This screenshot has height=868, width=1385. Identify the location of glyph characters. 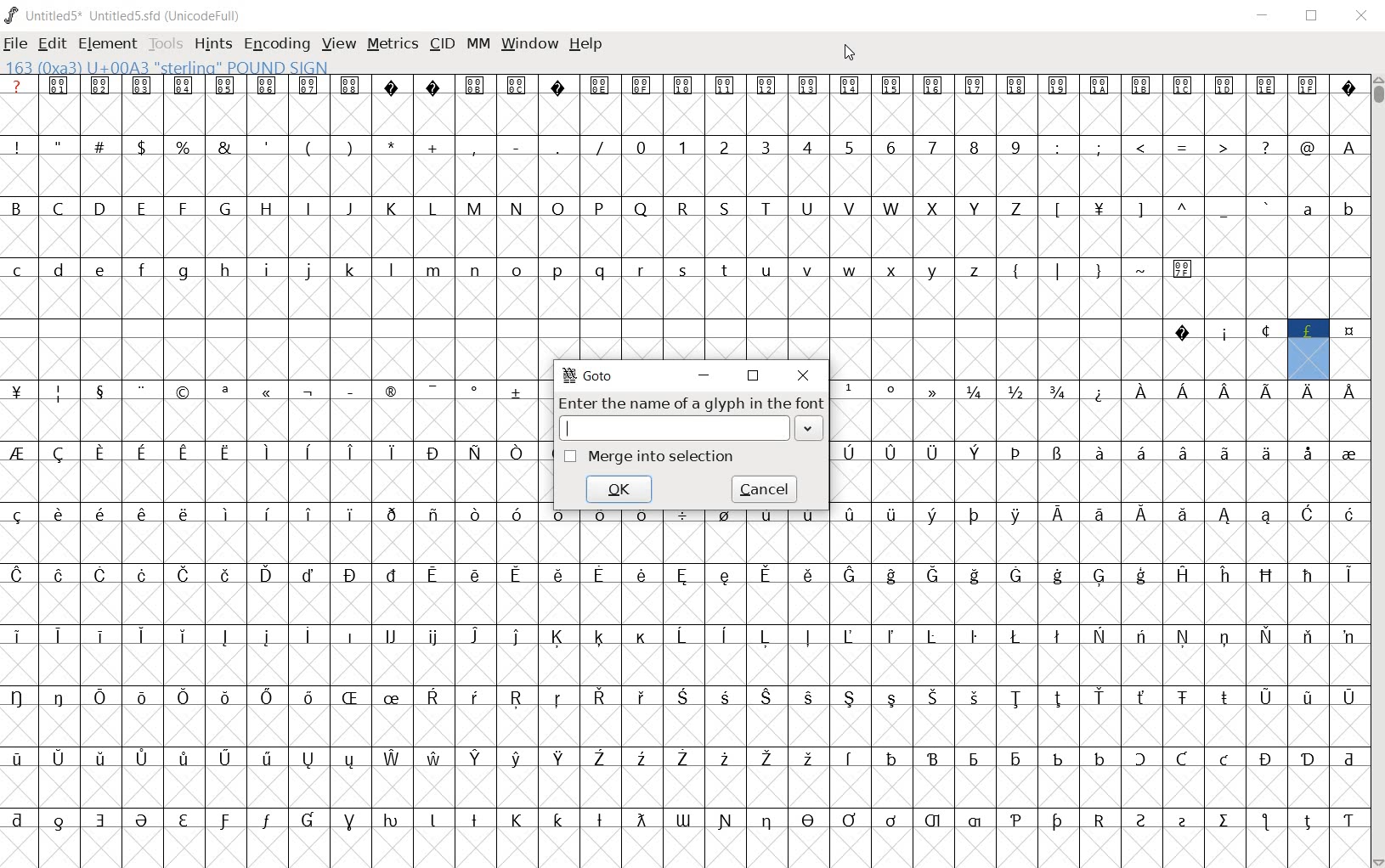
(1098, 440).